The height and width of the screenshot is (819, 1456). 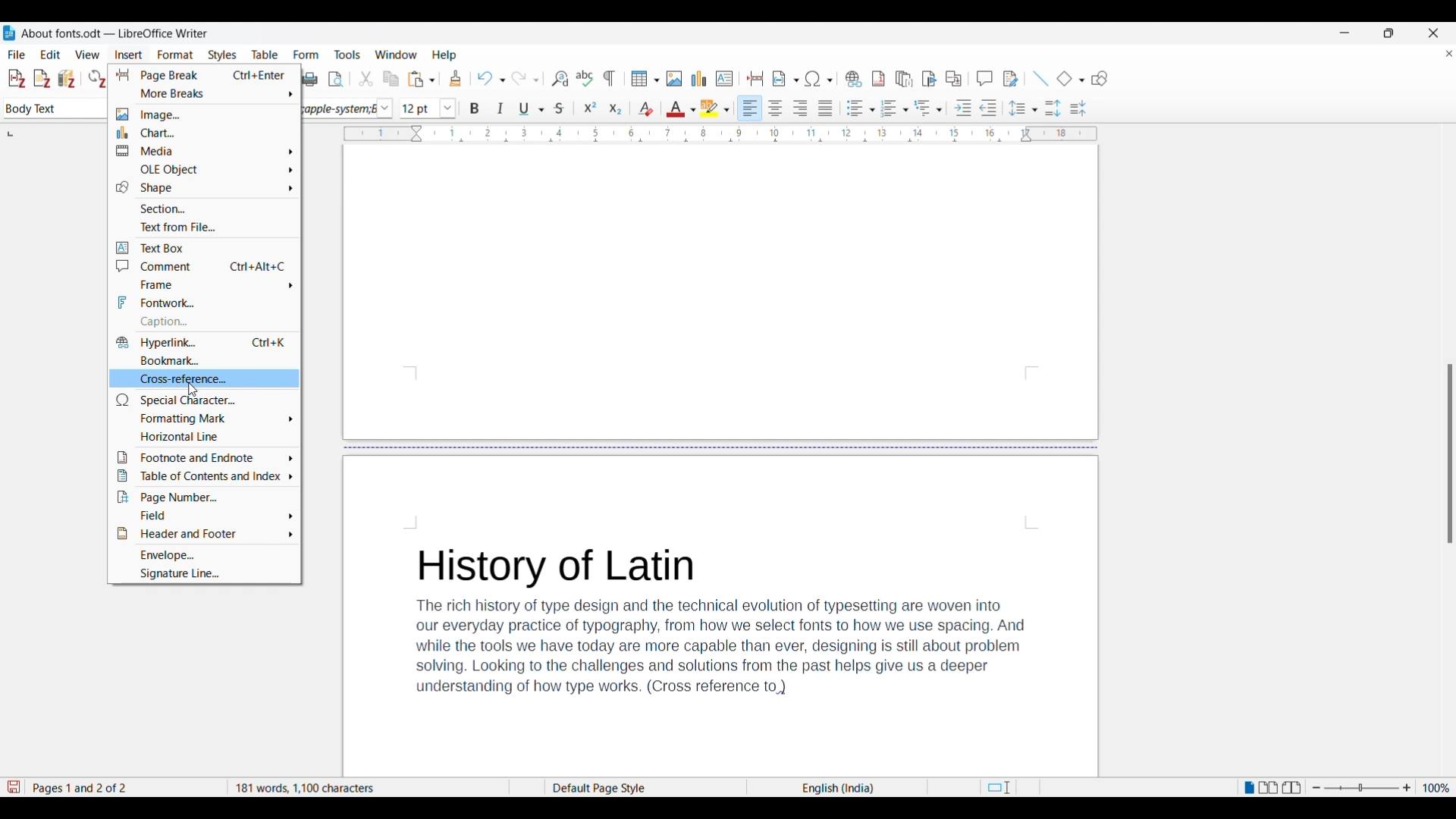 I want to click on Zoom in, so click(x=1407, y=789).